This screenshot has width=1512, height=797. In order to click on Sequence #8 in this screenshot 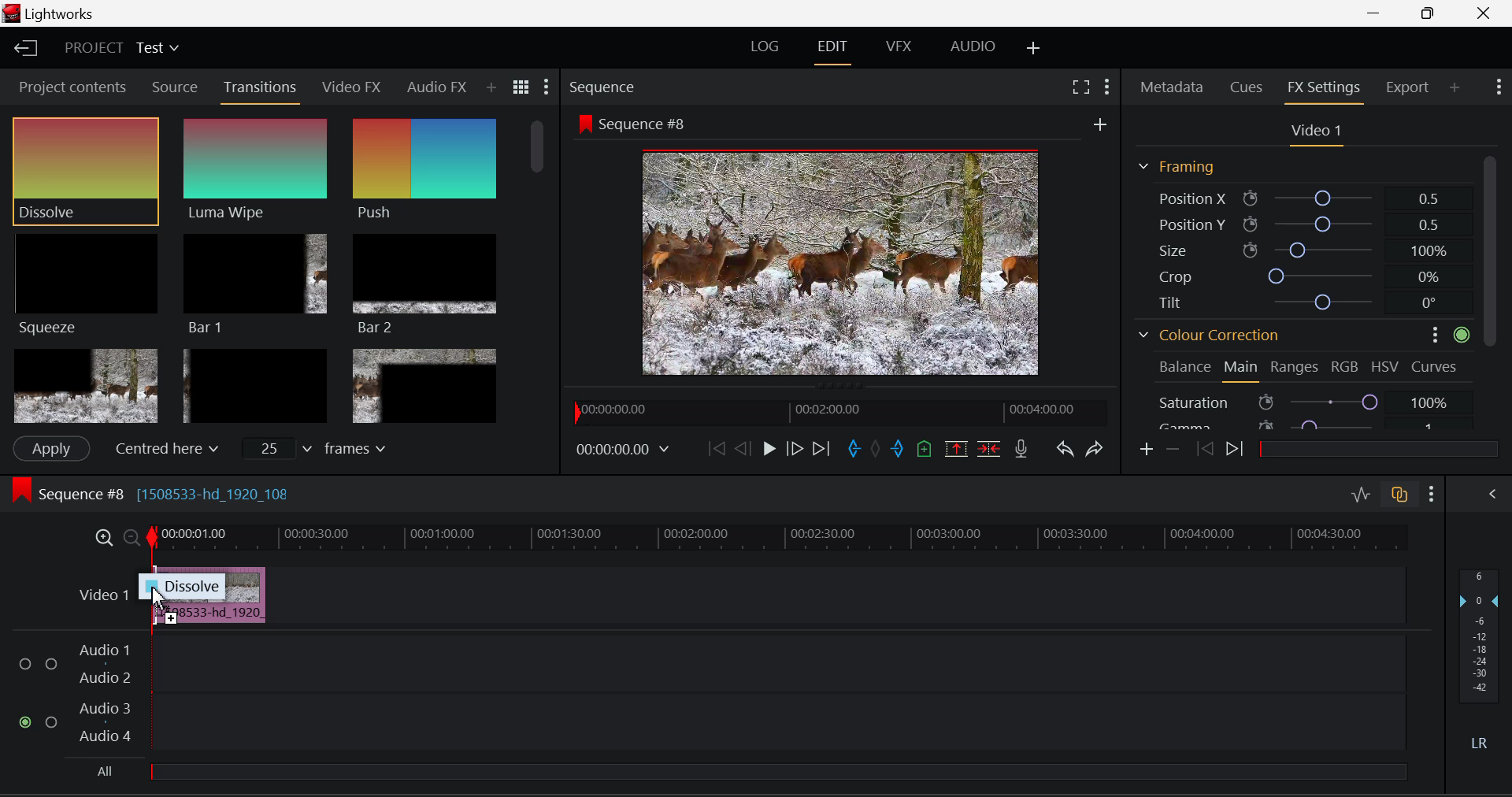, I will do `click(632, 122)`.